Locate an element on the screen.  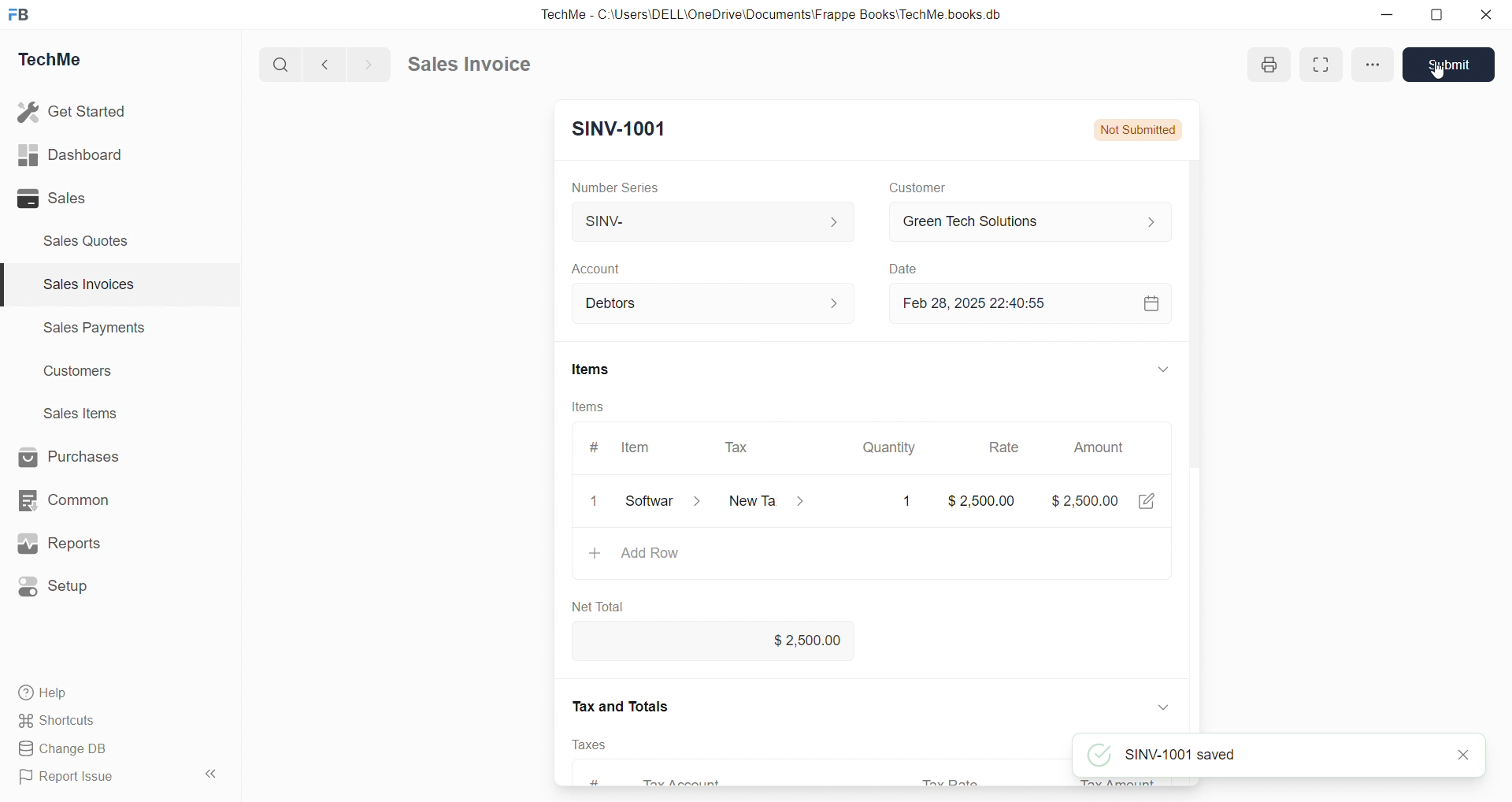
Items is located at coordinates (587, 407).